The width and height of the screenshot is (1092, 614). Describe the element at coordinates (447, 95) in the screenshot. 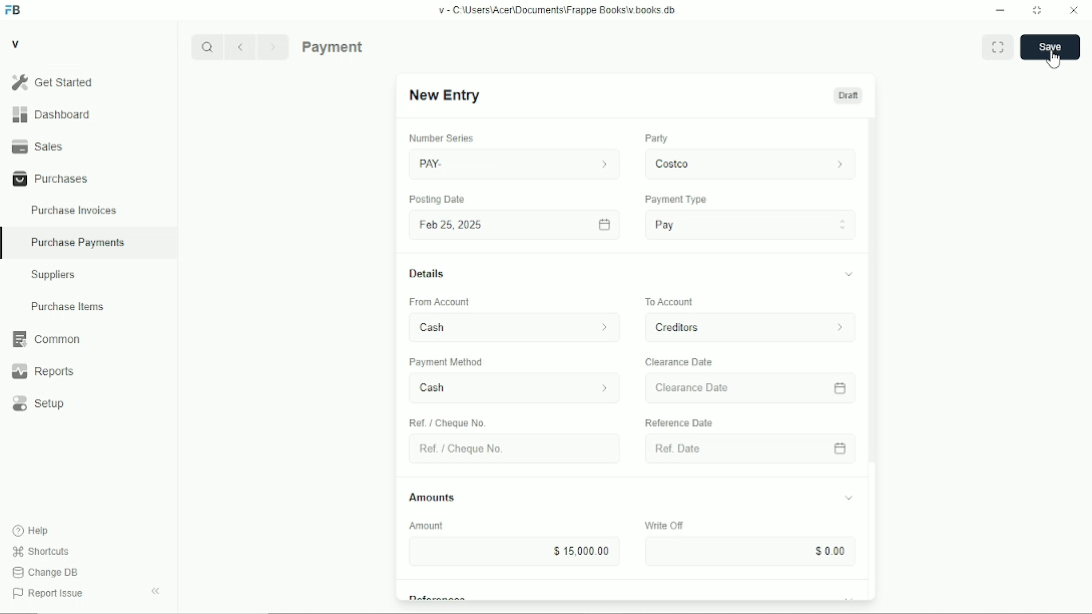

I see `New Entry` at that location.